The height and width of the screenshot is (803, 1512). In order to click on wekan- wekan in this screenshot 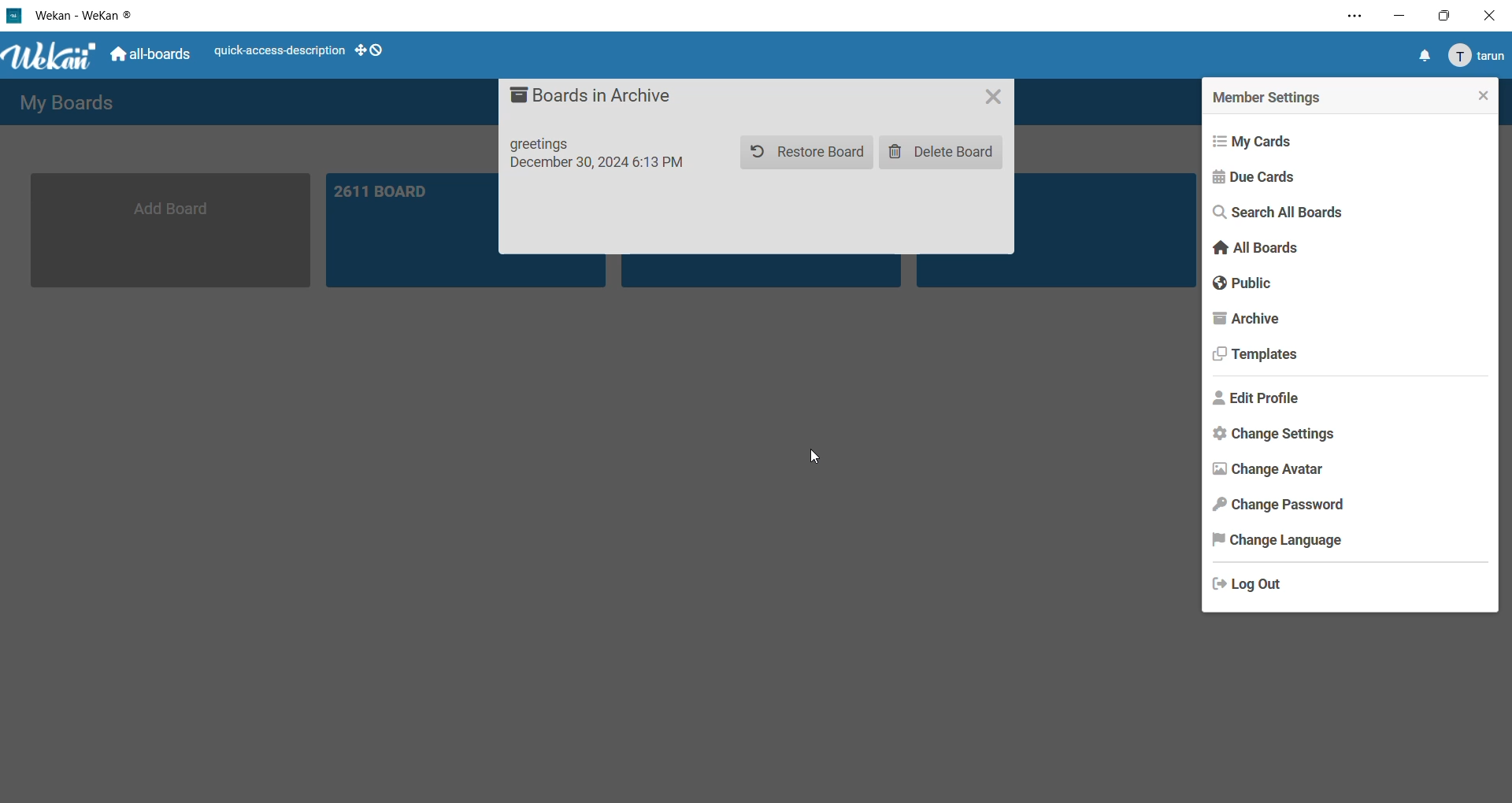, I will do `click(69, 17)`.